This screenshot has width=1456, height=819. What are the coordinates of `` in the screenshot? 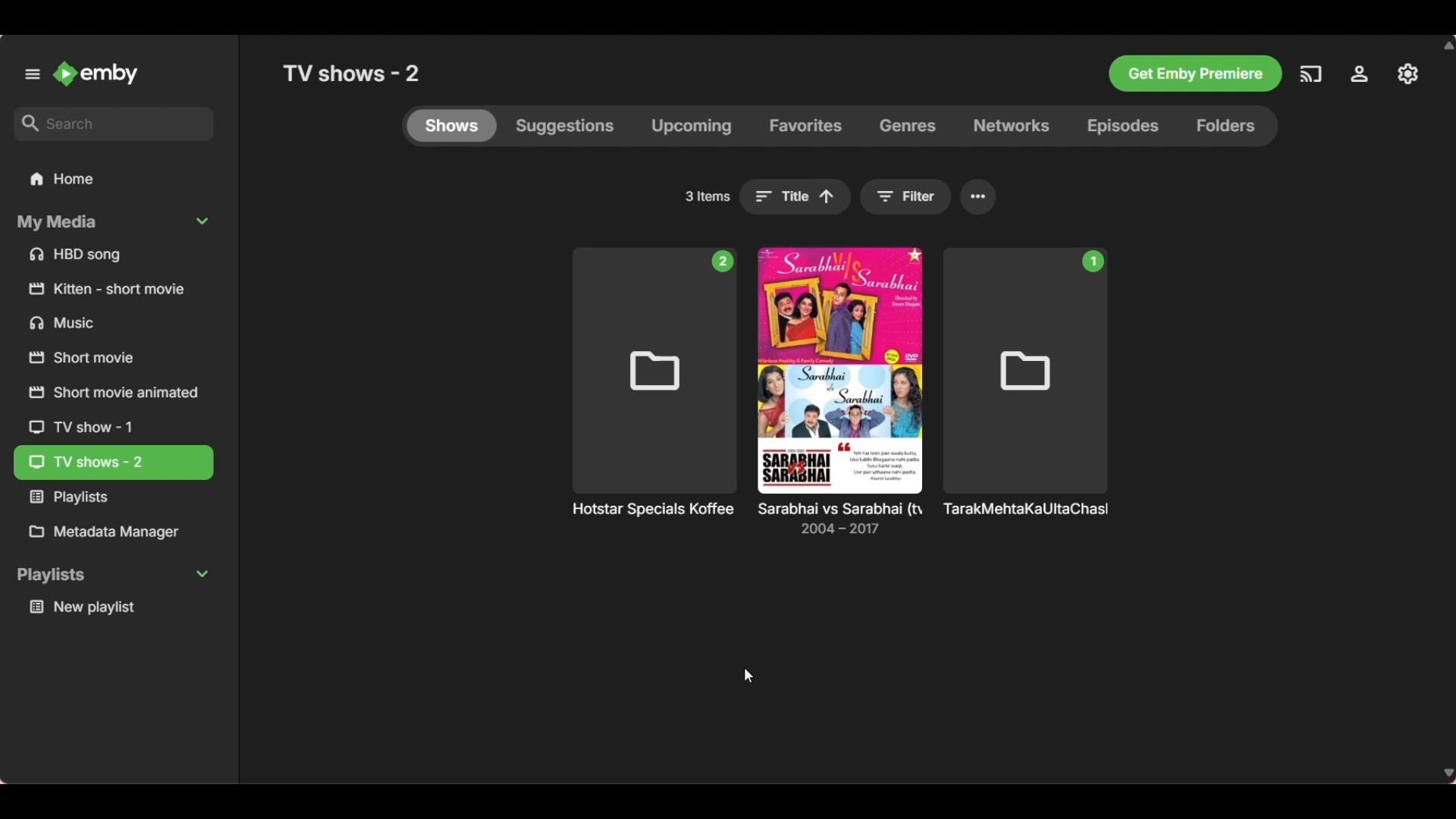 It's located at (843, 521).